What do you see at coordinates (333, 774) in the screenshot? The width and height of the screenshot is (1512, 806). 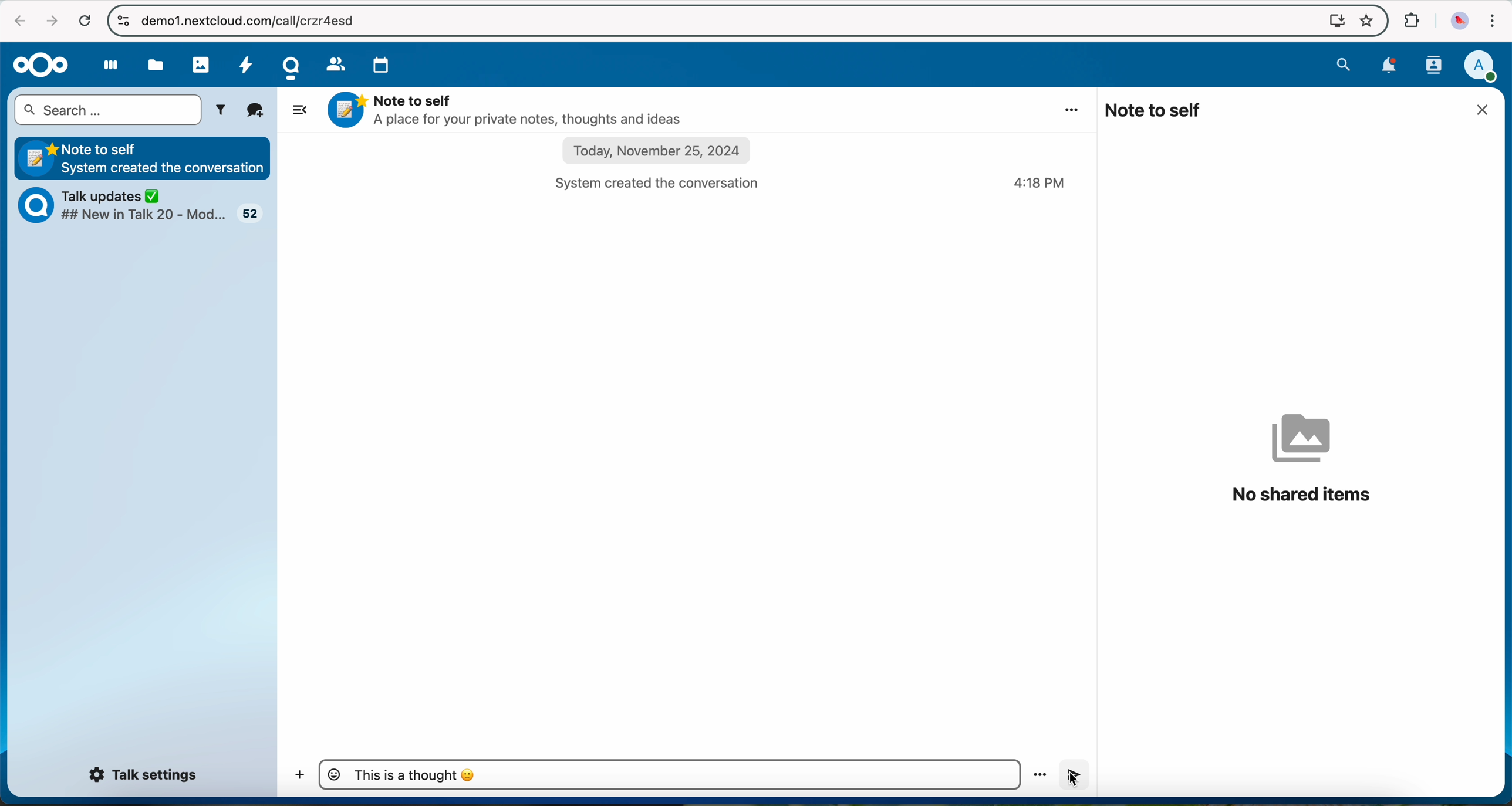 I see `emojis` at bounding box center [333, 774].